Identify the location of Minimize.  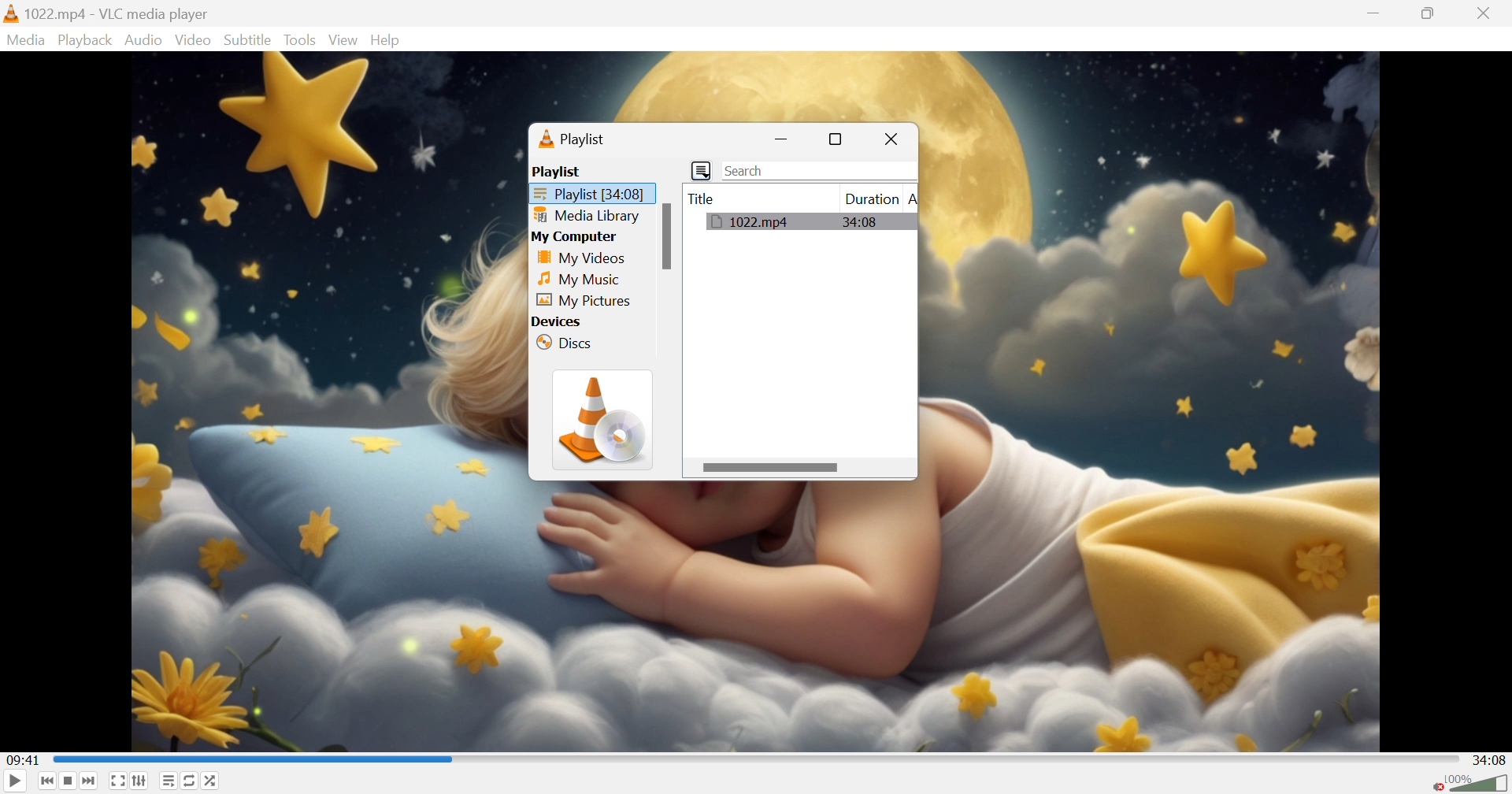
(1373, 13).